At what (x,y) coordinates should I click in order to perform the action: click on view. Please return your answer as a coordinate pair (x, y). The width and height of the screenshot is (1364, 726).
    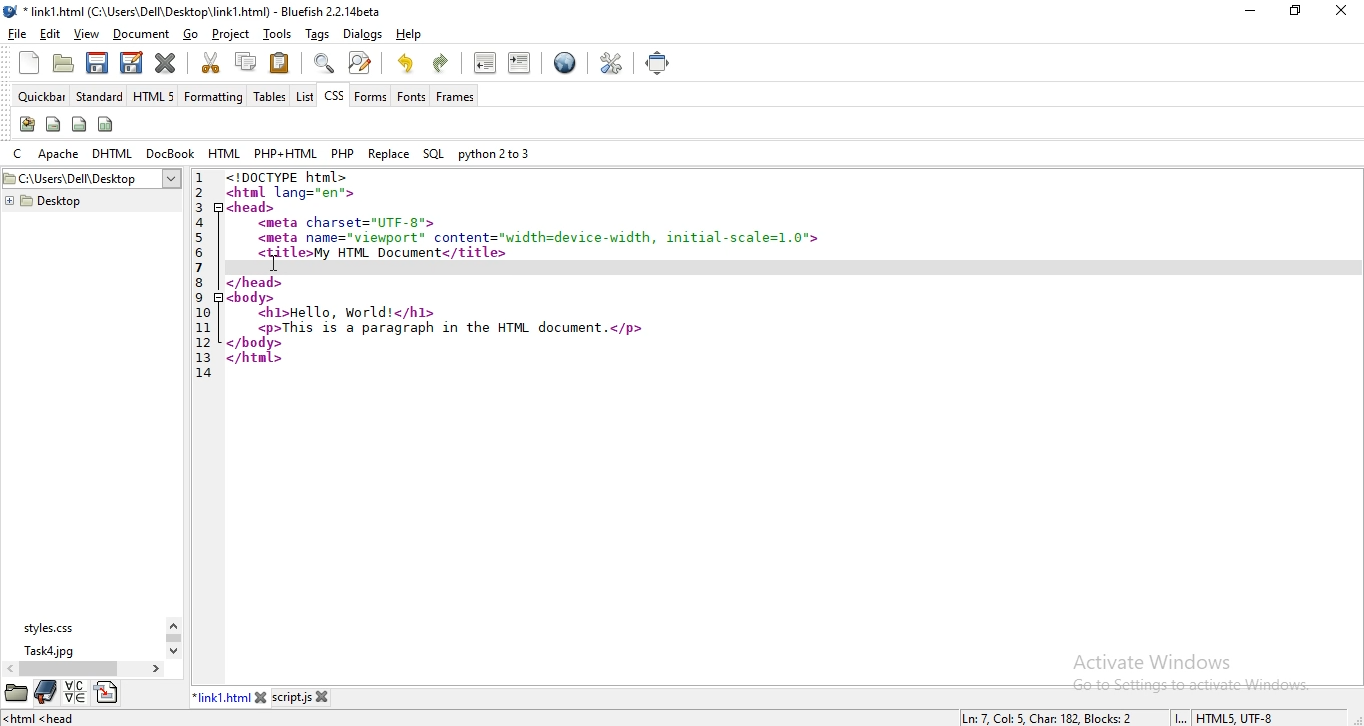
    Looking at the image, I should click on (85, 34).